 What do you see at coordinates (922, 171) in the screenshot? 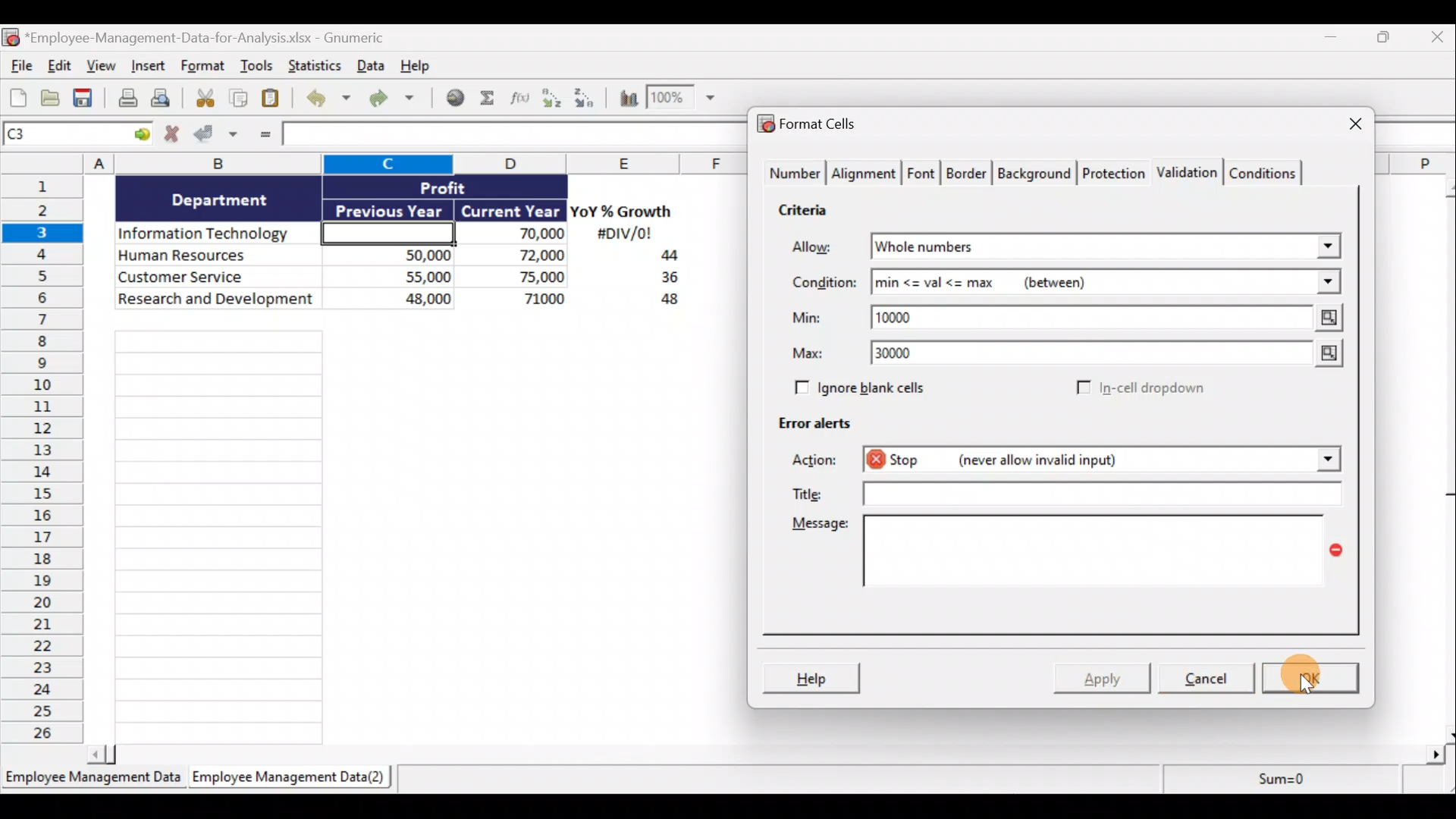
I see `Font` at bounding box center [922, 171].